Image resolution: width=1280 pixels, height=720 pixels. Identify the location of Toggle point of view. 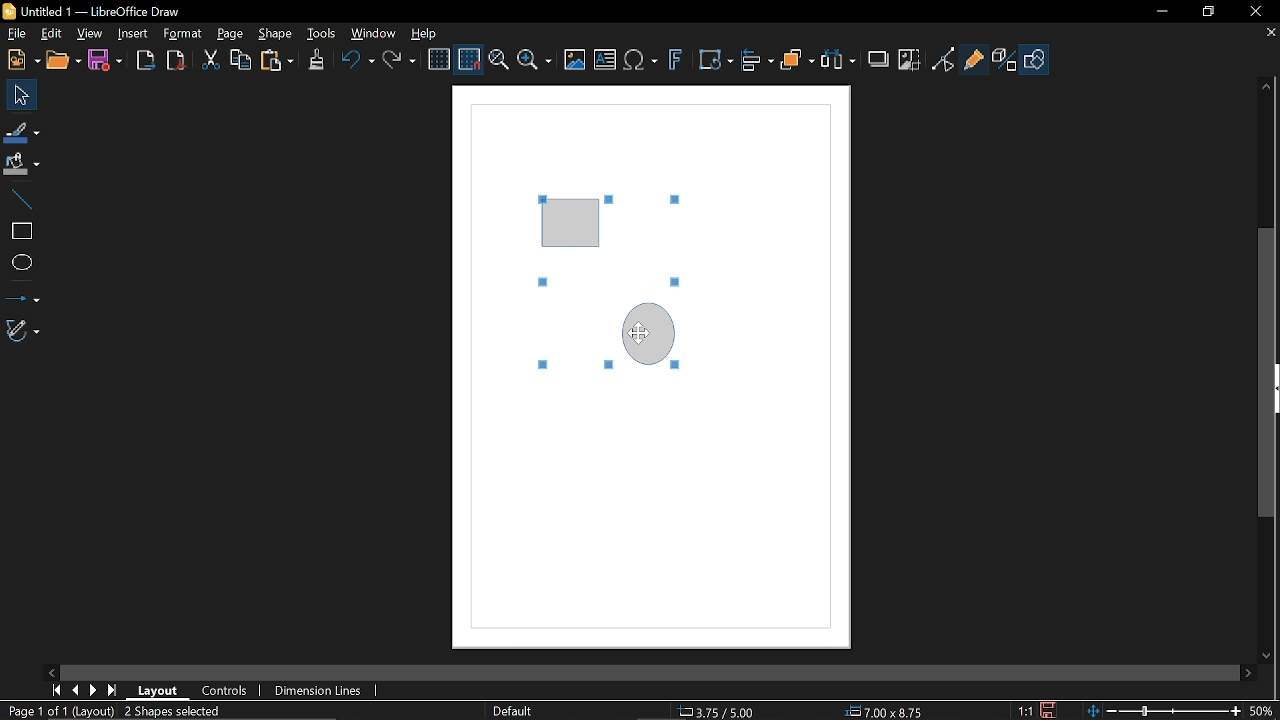
(943, 61).